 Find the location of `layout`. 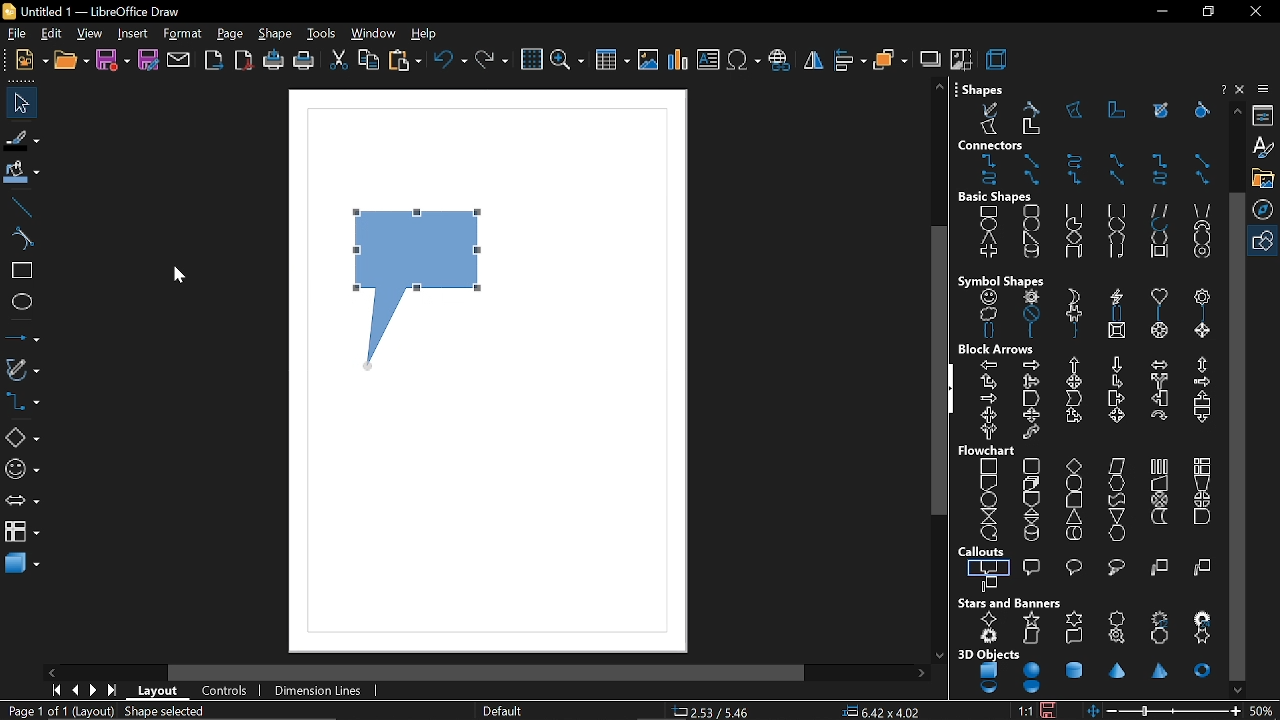

layout is located at coordinates (156, 691).